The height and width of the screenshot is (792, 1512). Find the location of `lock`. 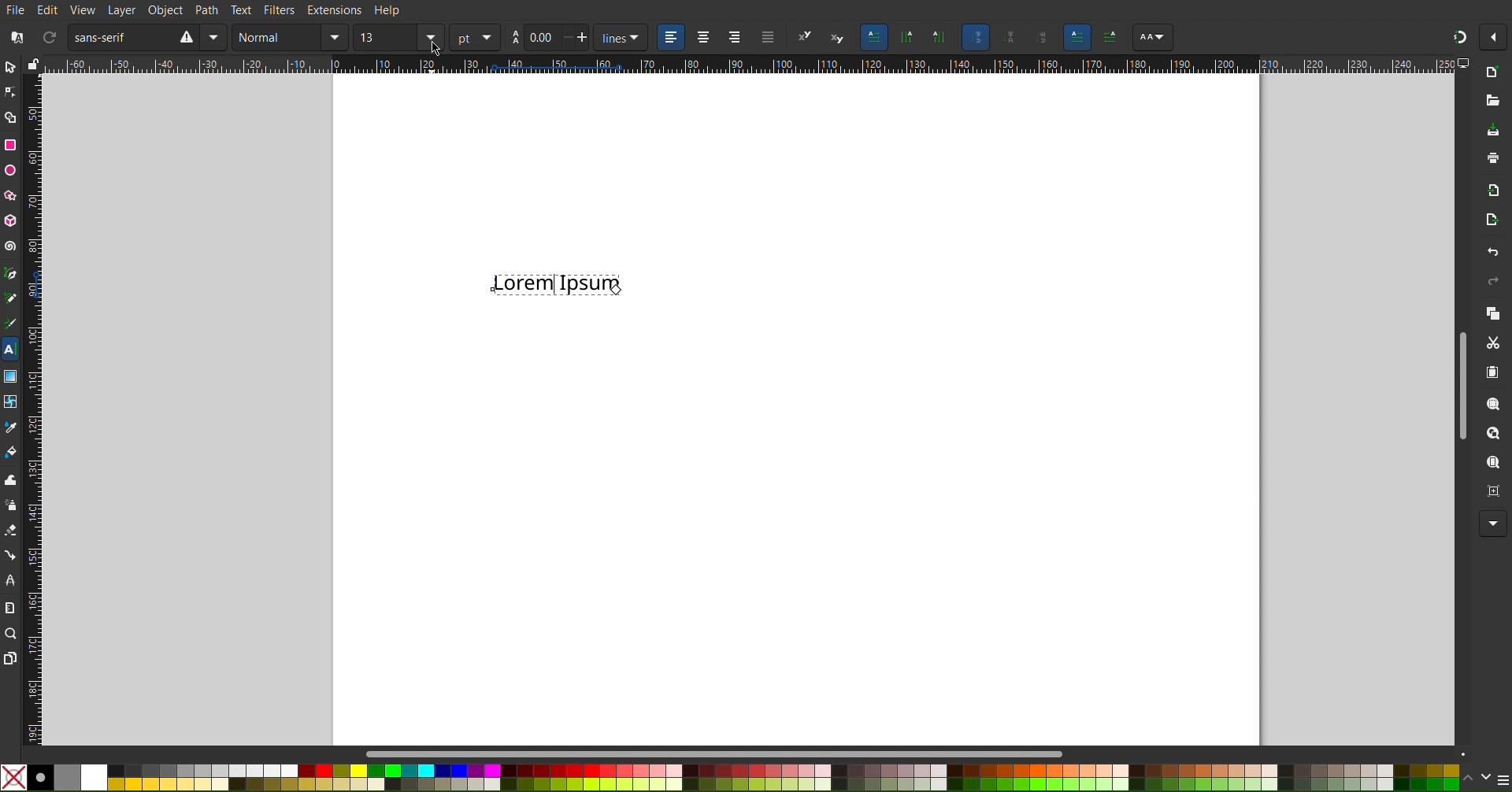

lock is located at coordinates (33, 62).